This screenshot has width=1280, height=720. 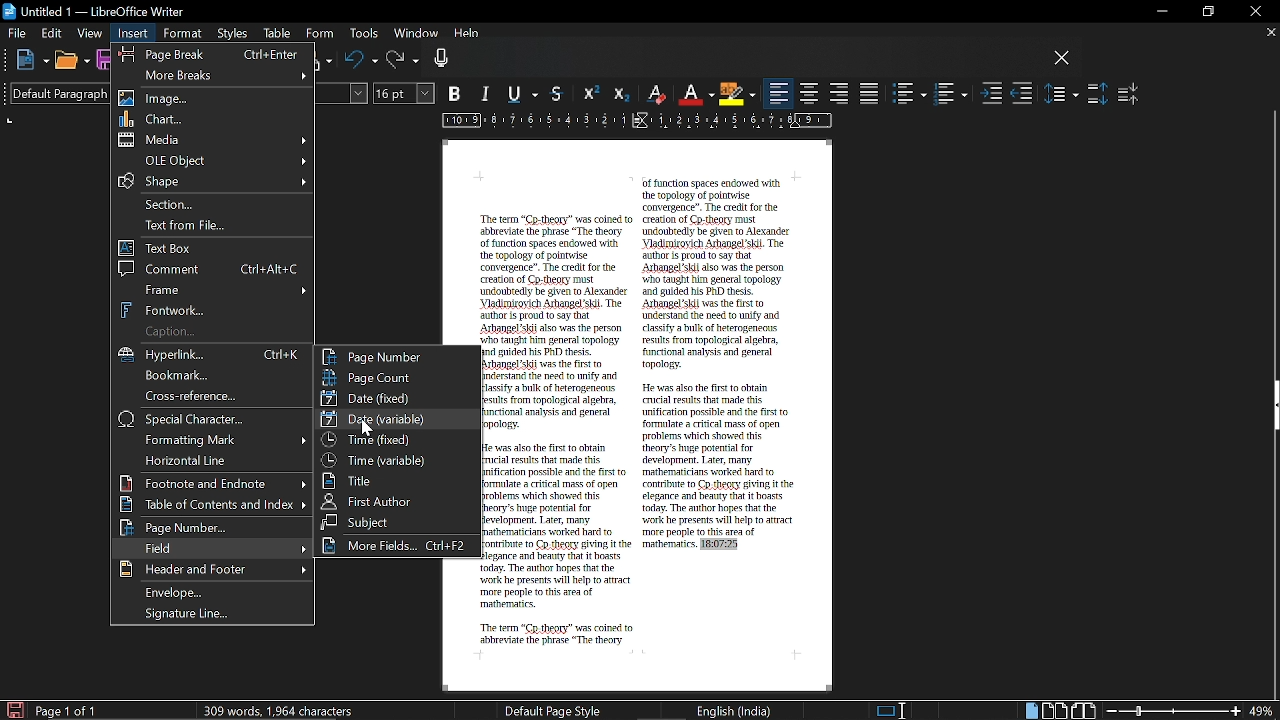 I want to click on Set line spacing, so click(x=1062, y=93).